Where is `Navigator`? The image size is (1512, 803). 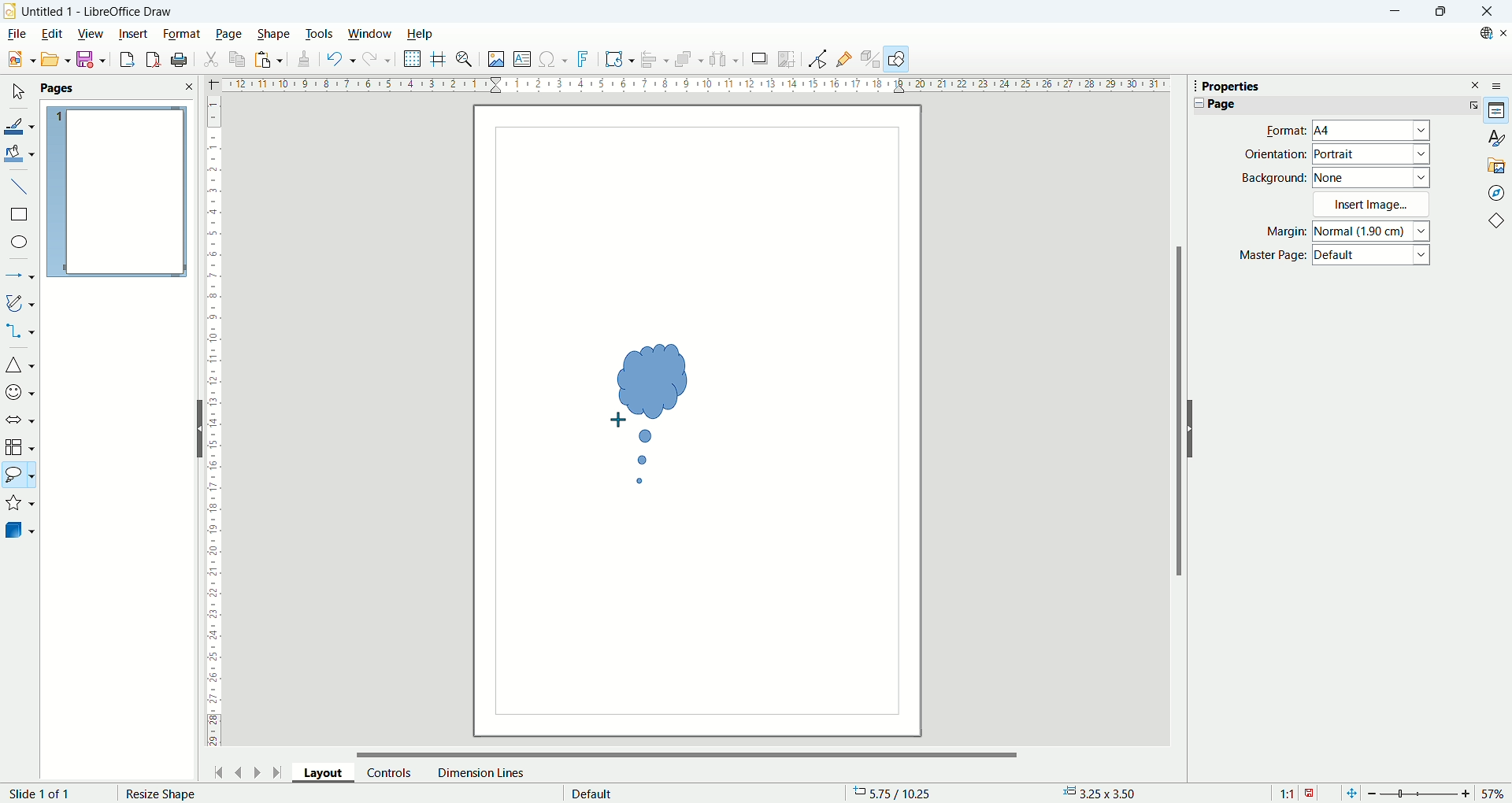 Navigator is located at coordinates (1496, 192).